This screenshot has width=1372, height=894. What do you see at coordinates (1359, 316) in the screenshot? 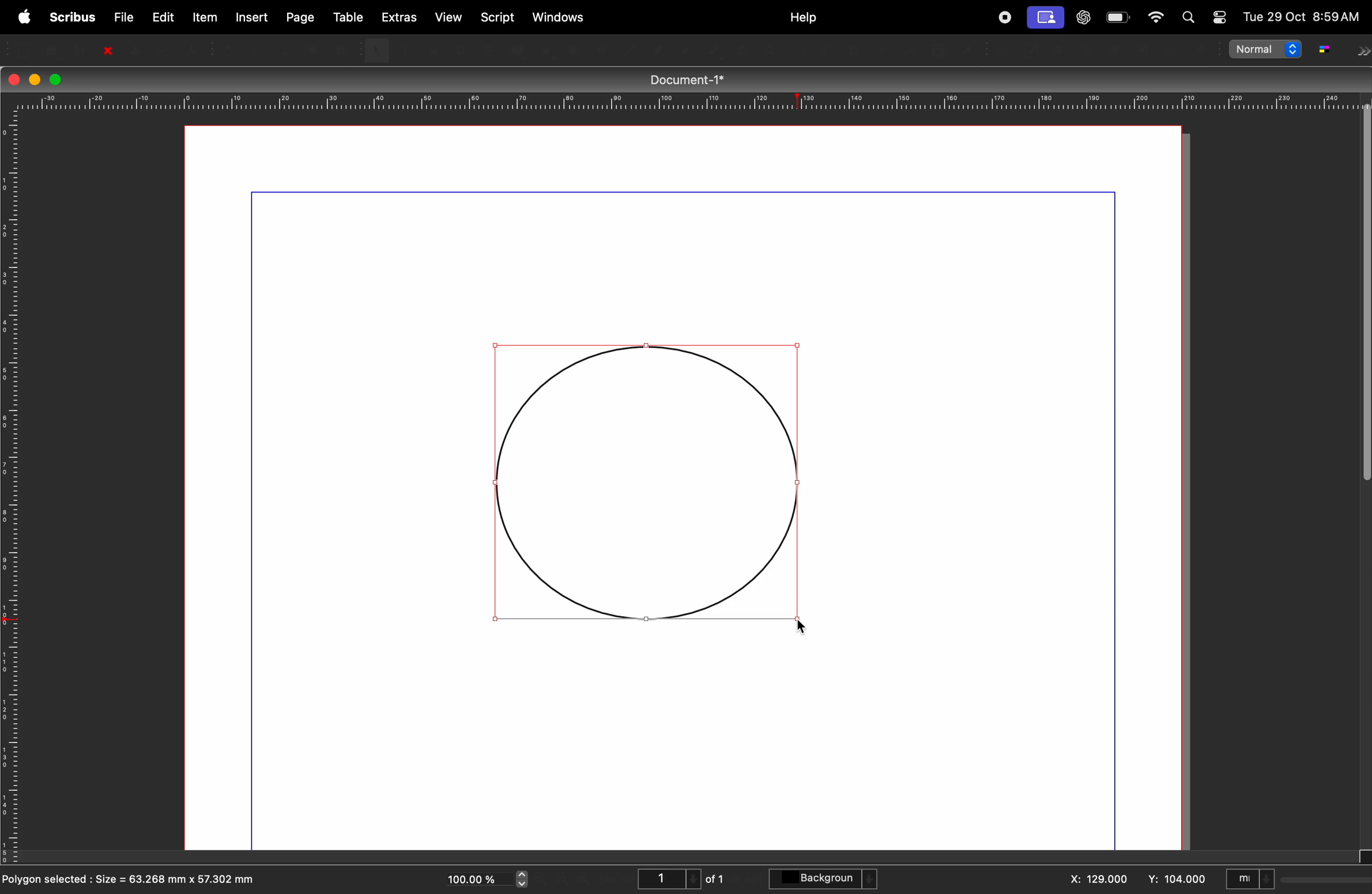
I see `verticle sidebar` at bounding box center [1359, 316].